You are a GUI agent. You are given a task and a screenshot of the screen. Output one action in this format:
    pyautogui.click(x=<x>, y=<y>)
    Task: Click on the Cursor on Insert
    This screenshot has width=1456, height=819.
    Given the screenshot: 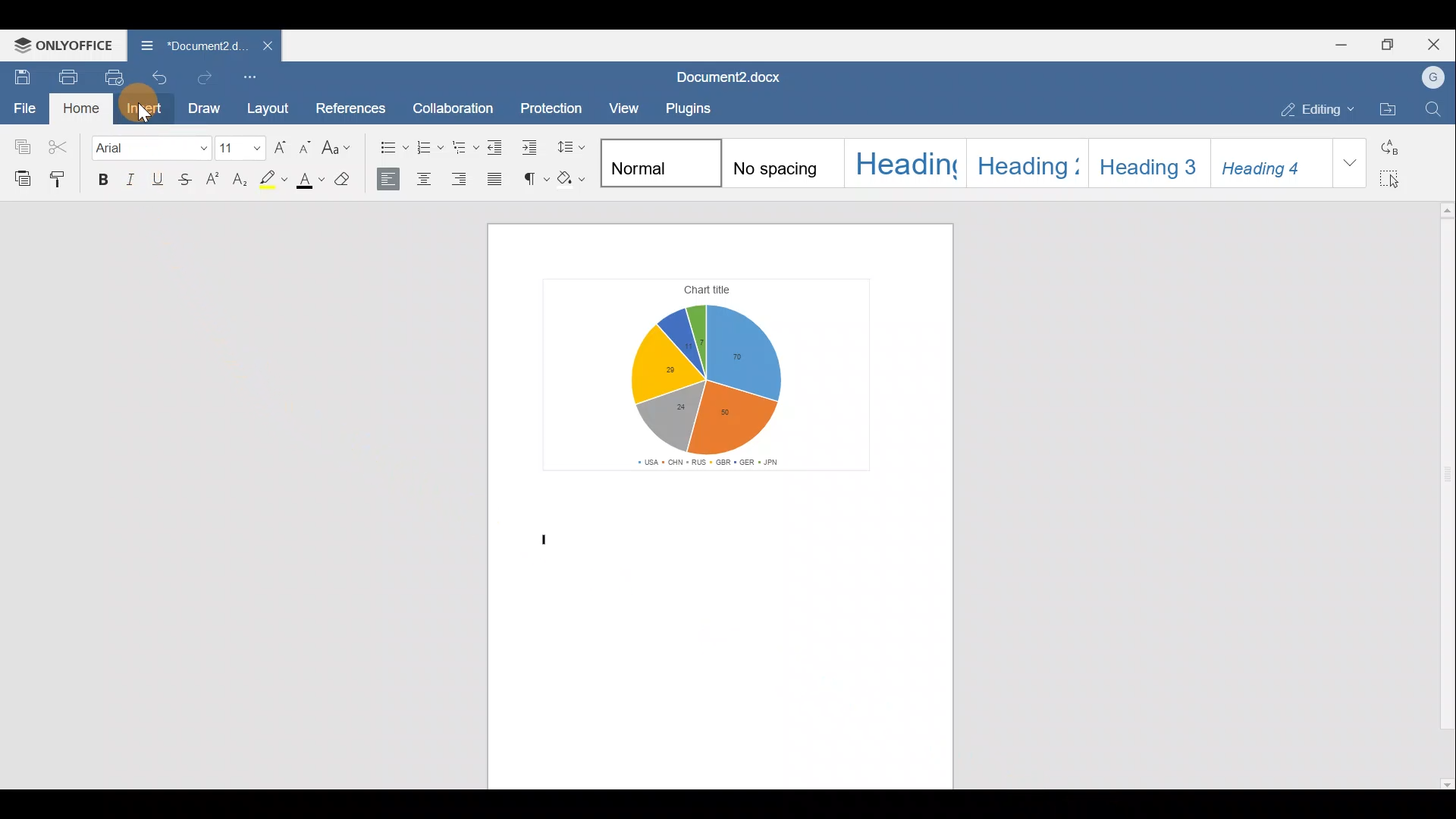 What is the action you would take?
    pyautogui.click(x=145, y=108)
    